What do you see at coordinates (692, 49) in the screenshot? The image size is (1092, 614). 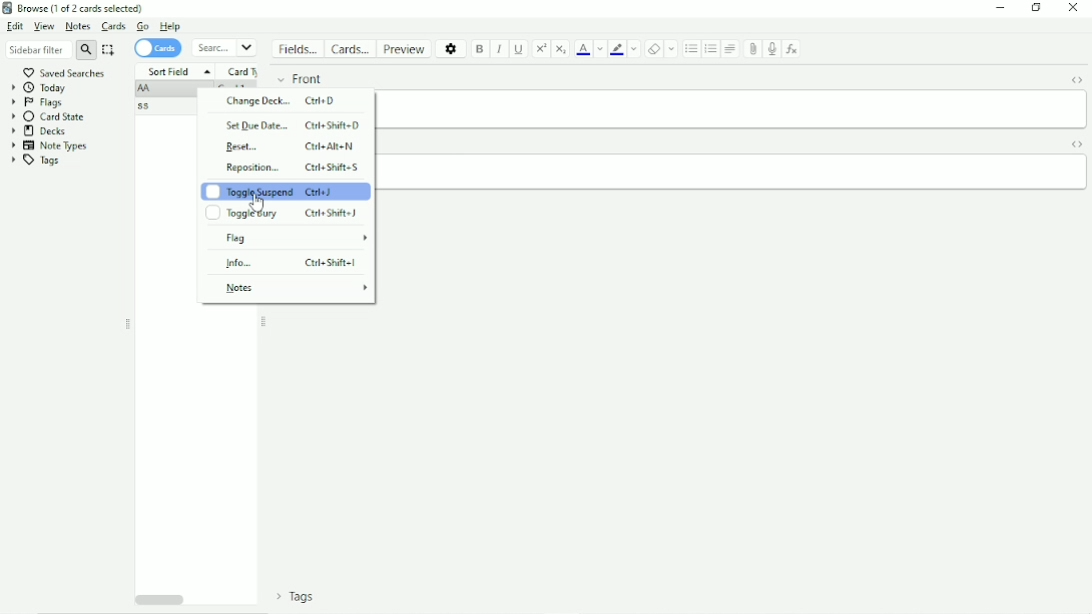 I see `Unordered list` at bounding box center [692, 49].